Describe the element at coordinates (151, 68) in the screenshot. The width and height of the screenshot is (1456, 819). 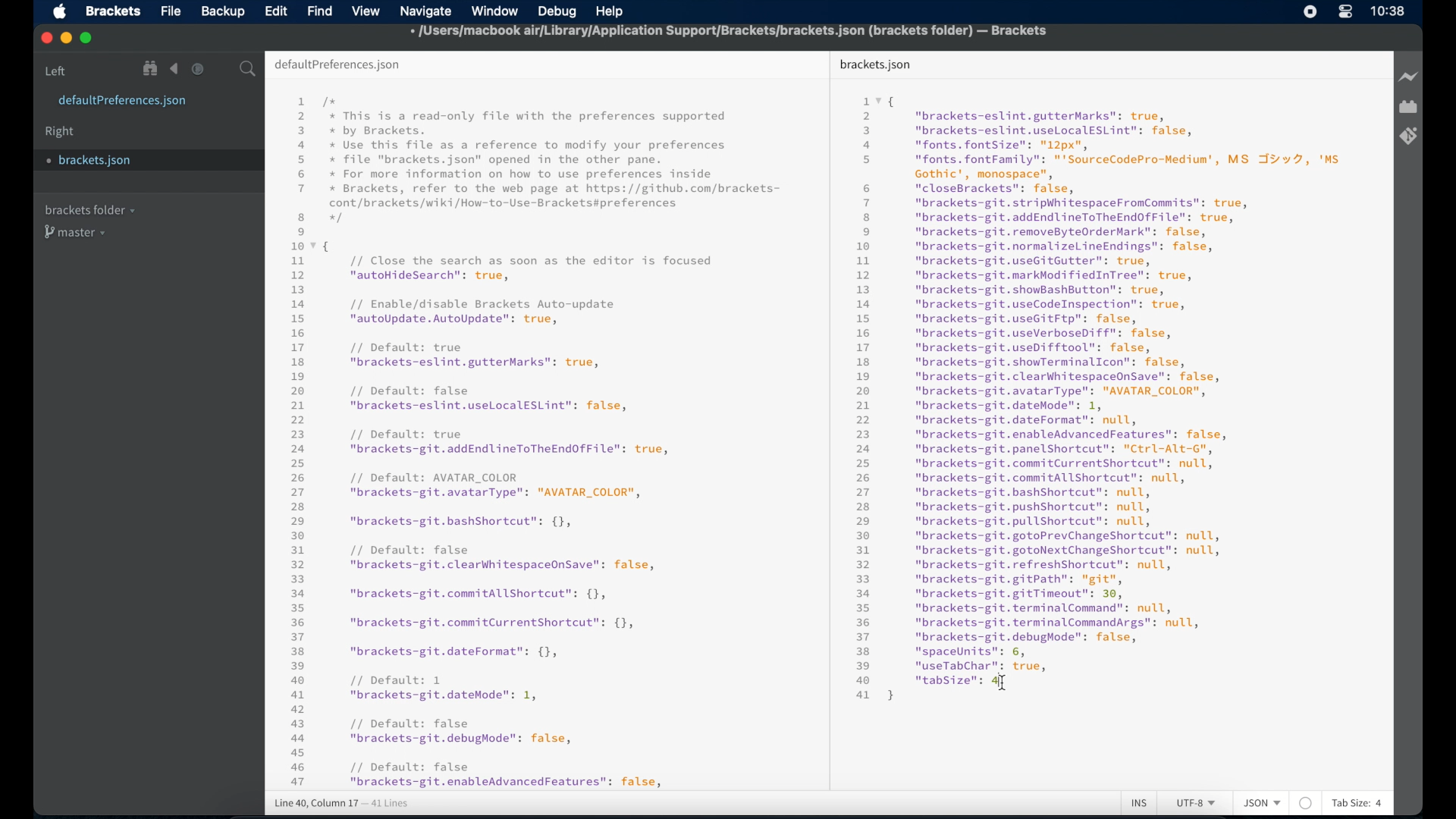
I see `show file in  tree` at that location.